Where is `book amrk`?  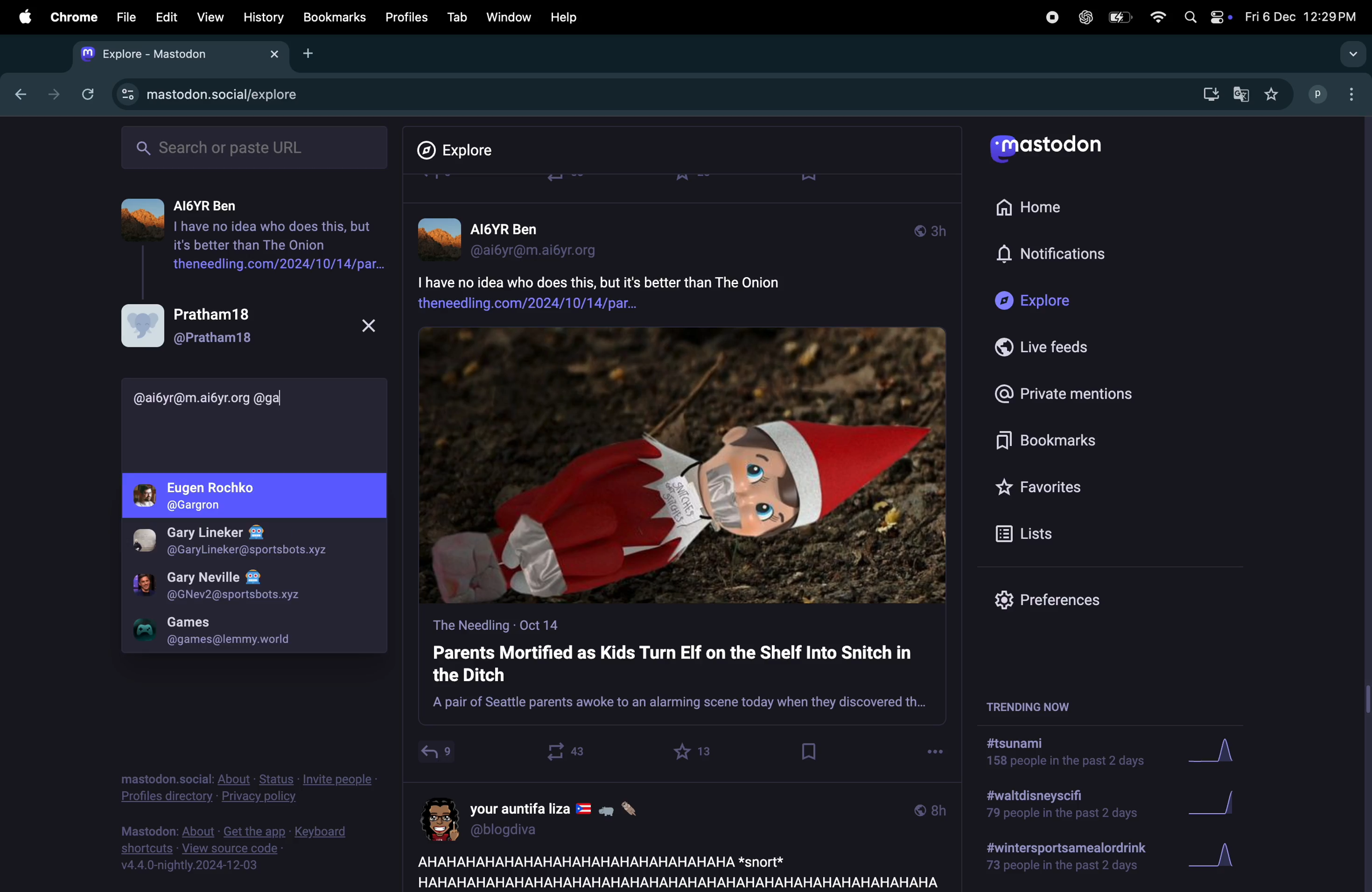 book amrk is located at coordinates (811, 751).